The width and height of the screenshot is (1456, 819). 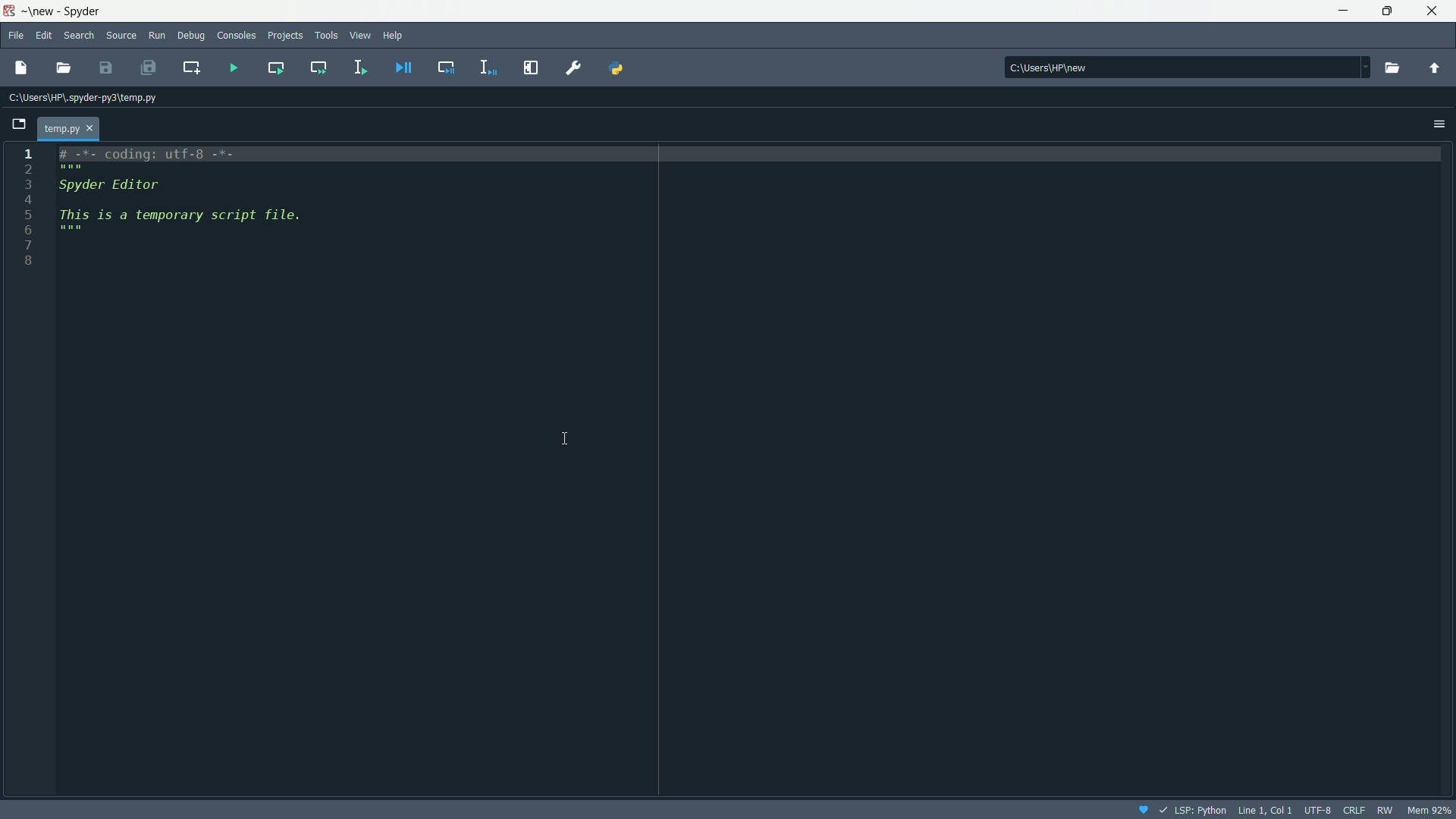 What do you see at coordinates (17, 34) in the screenshot?
I see `File` at bounding box center [17, 34].